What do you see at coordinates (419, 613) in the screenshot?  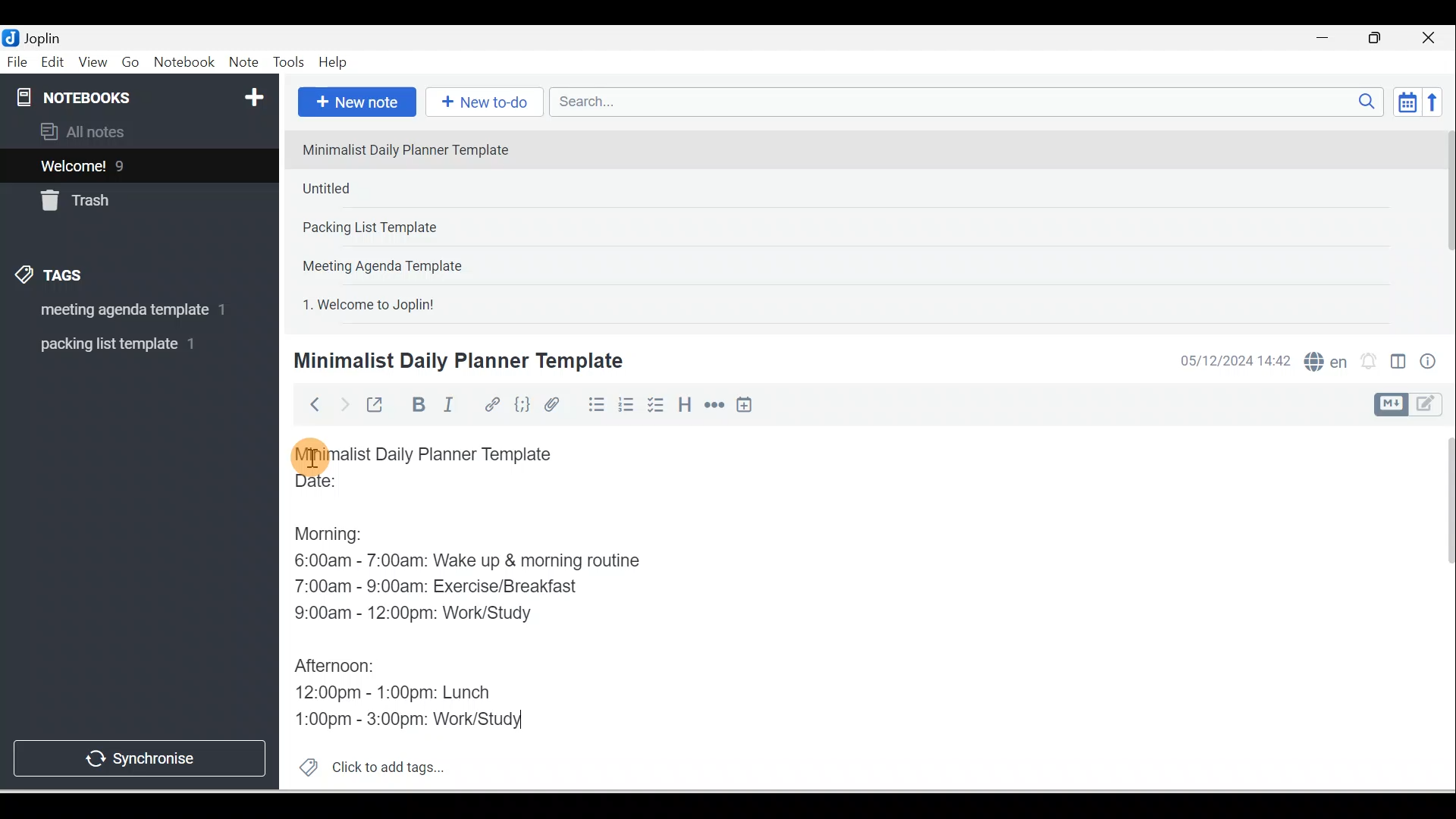 I see `9:00am - 12:00pm: Work/Study` at bounding box center [419, 613].